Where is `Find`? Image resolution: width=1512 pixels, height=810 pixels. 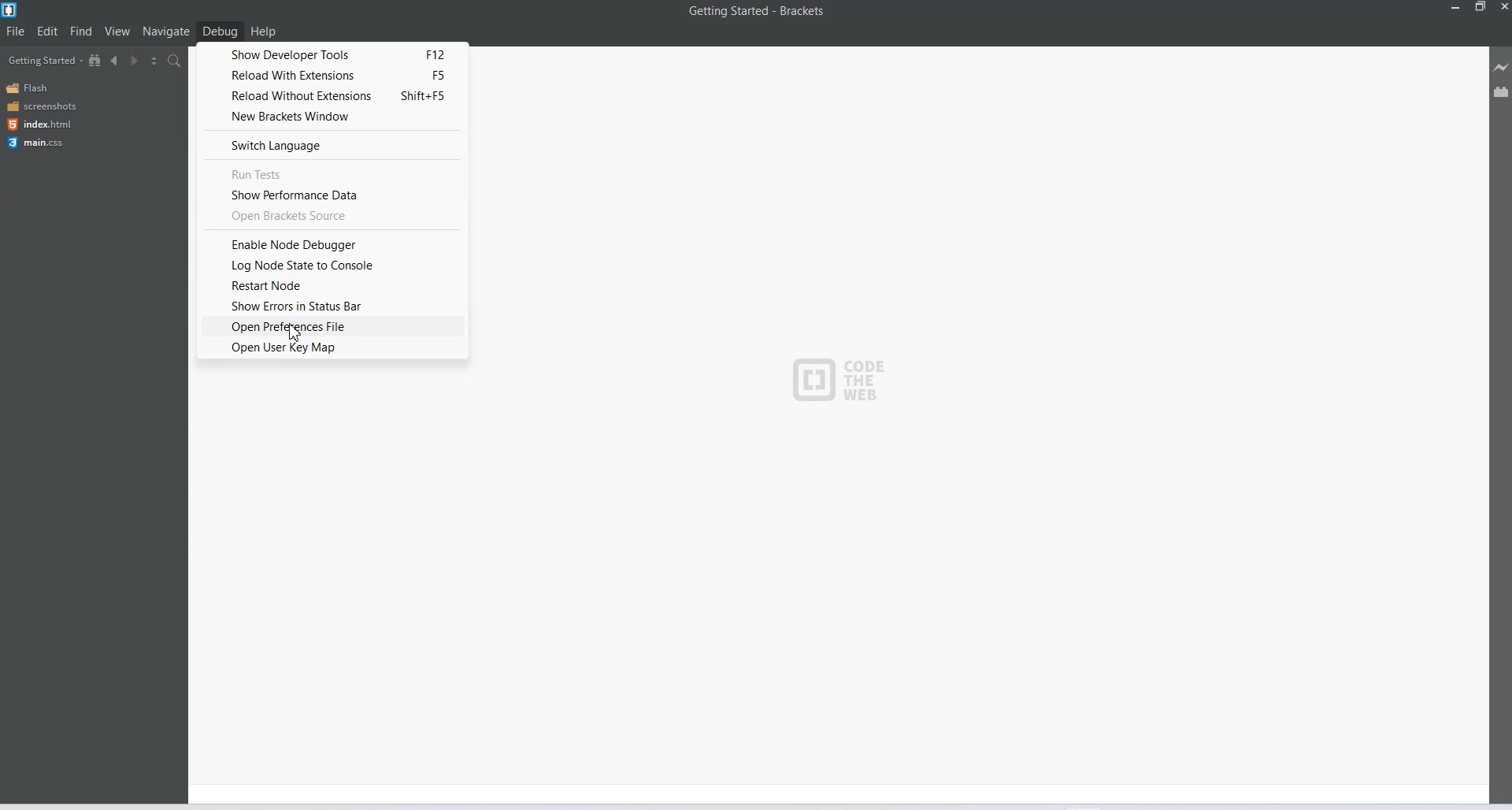
Find is located at coordinates (82, 31).